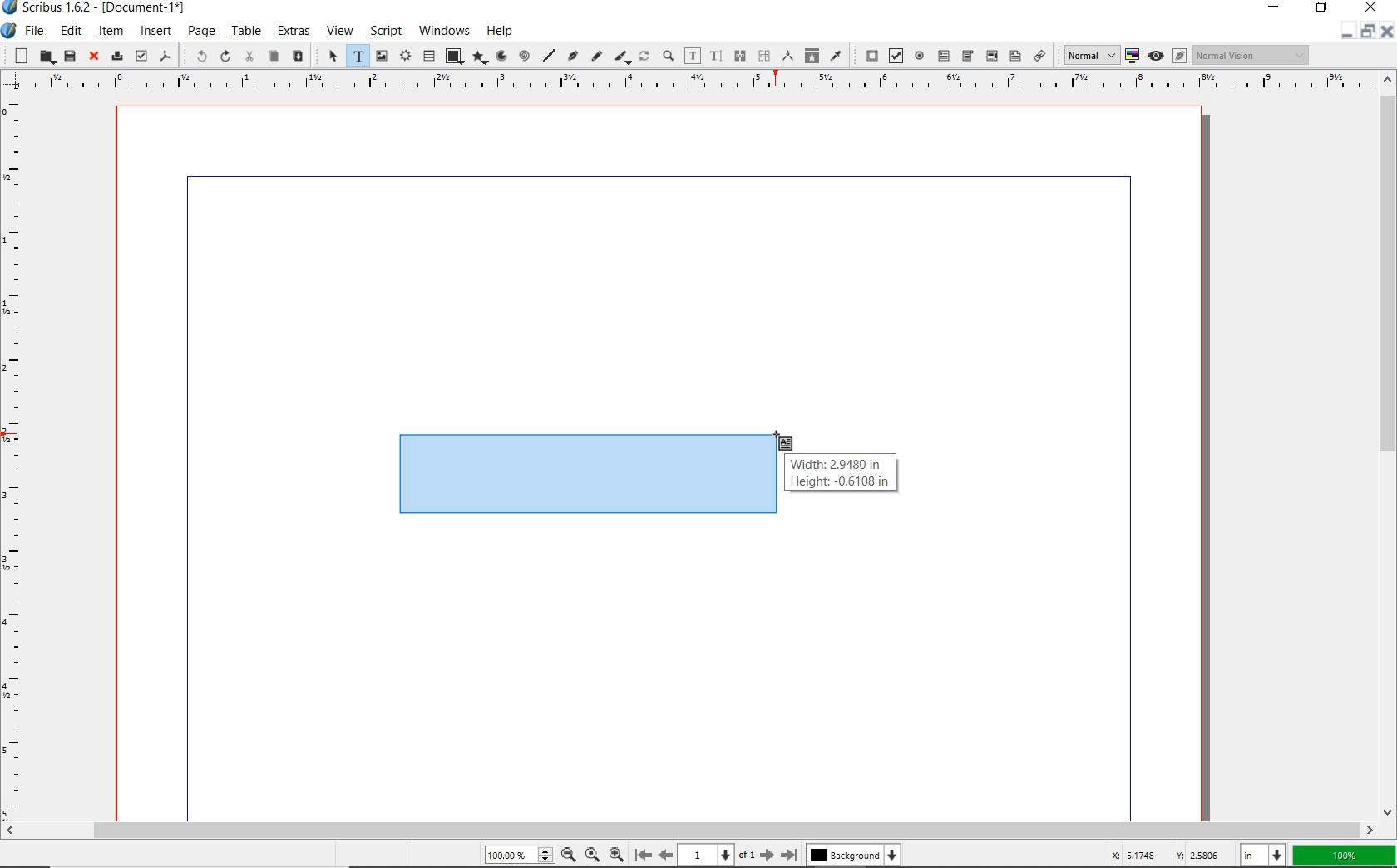  What do you see at coordinates (141, 57) in the screenshot?
I see `preflight verifier` at bounding box center [141, 57].